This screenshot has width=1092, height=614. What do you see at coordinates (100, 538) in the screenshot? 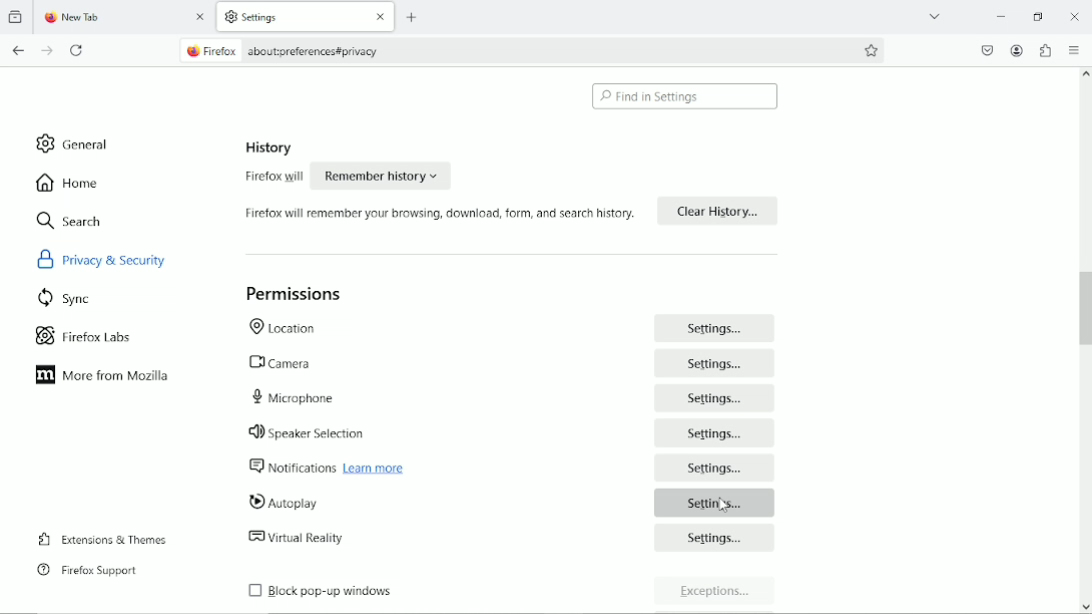
I see `extensions & themes` at bounding box center [100, 538].